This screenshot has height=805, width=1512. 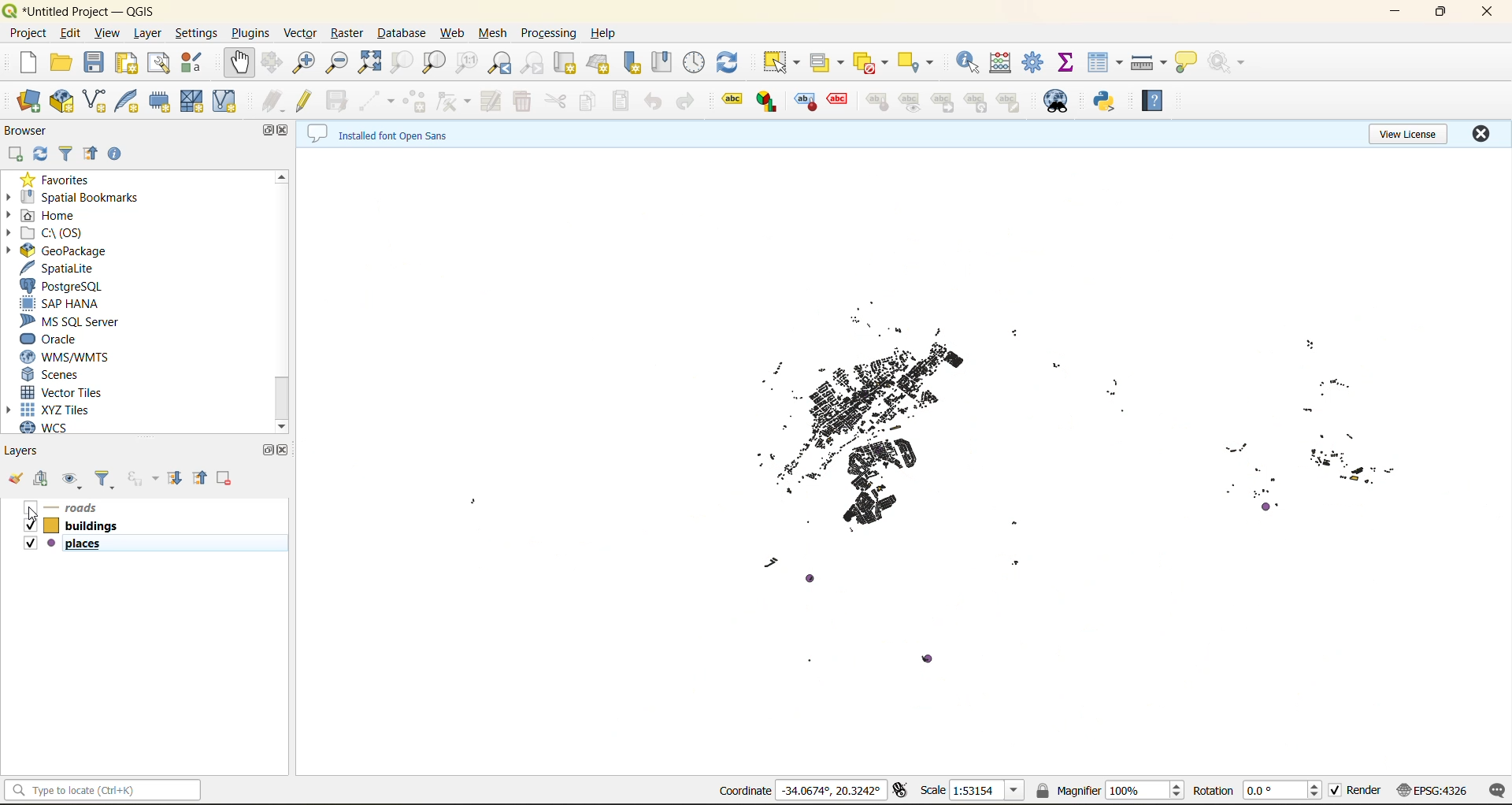 What do you see at coordinates (69, 409) in the screenshot?
I see `xyz tiles` at bounding box center [69, 409].